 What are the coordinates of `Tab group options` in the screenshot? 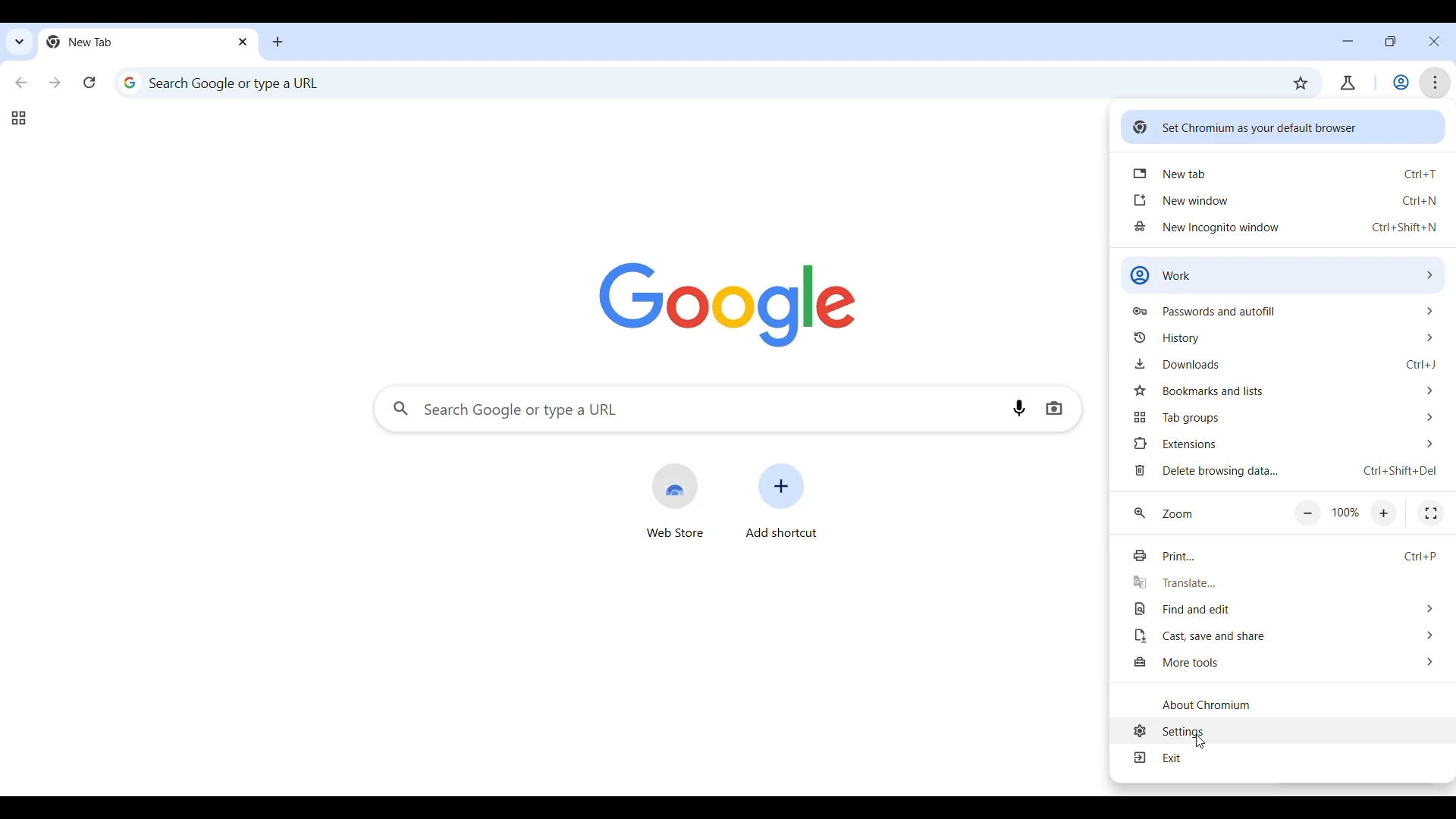 It's located at (1285, 417).